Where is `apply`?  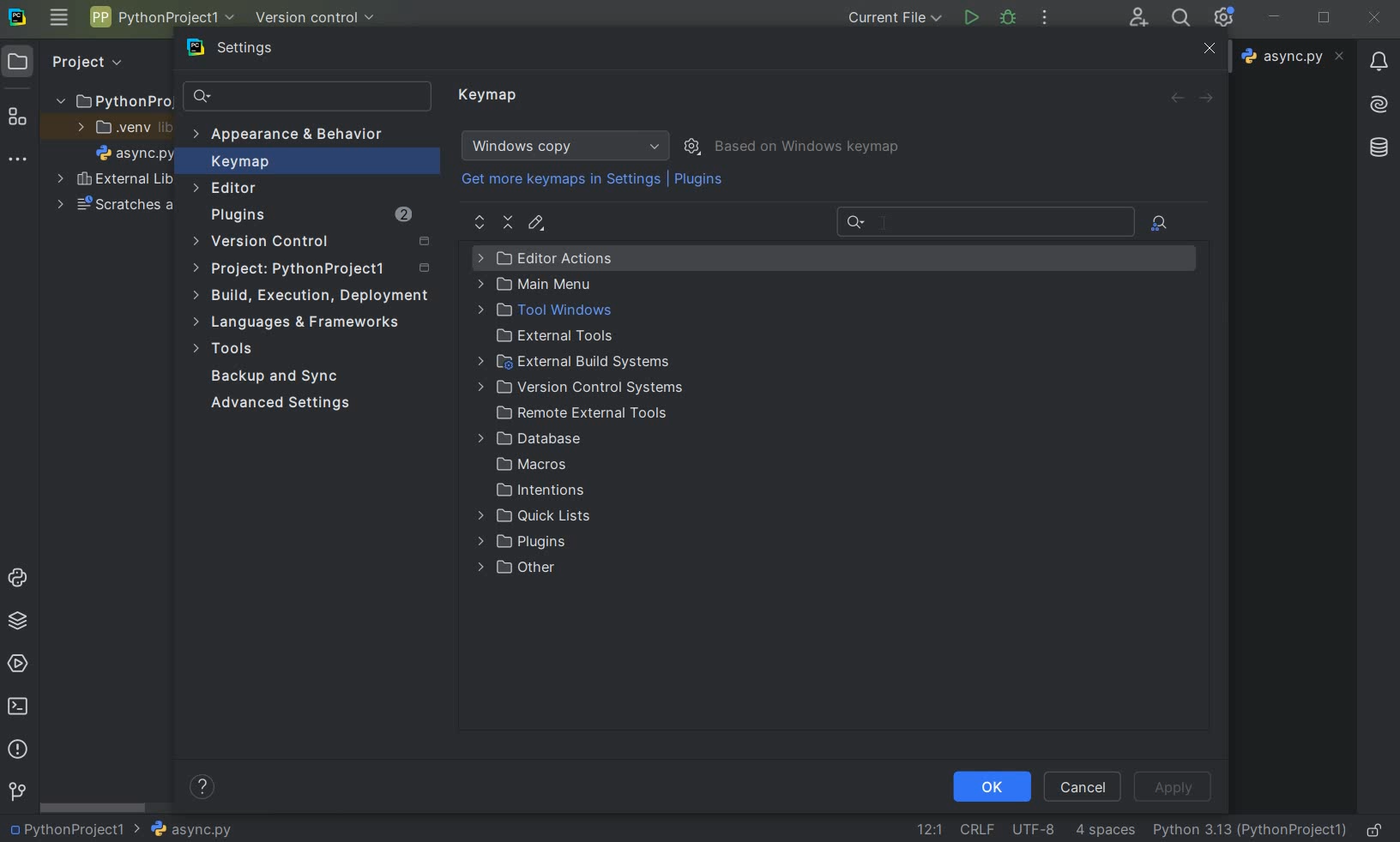
apply is located at coordinates (1172, 787).